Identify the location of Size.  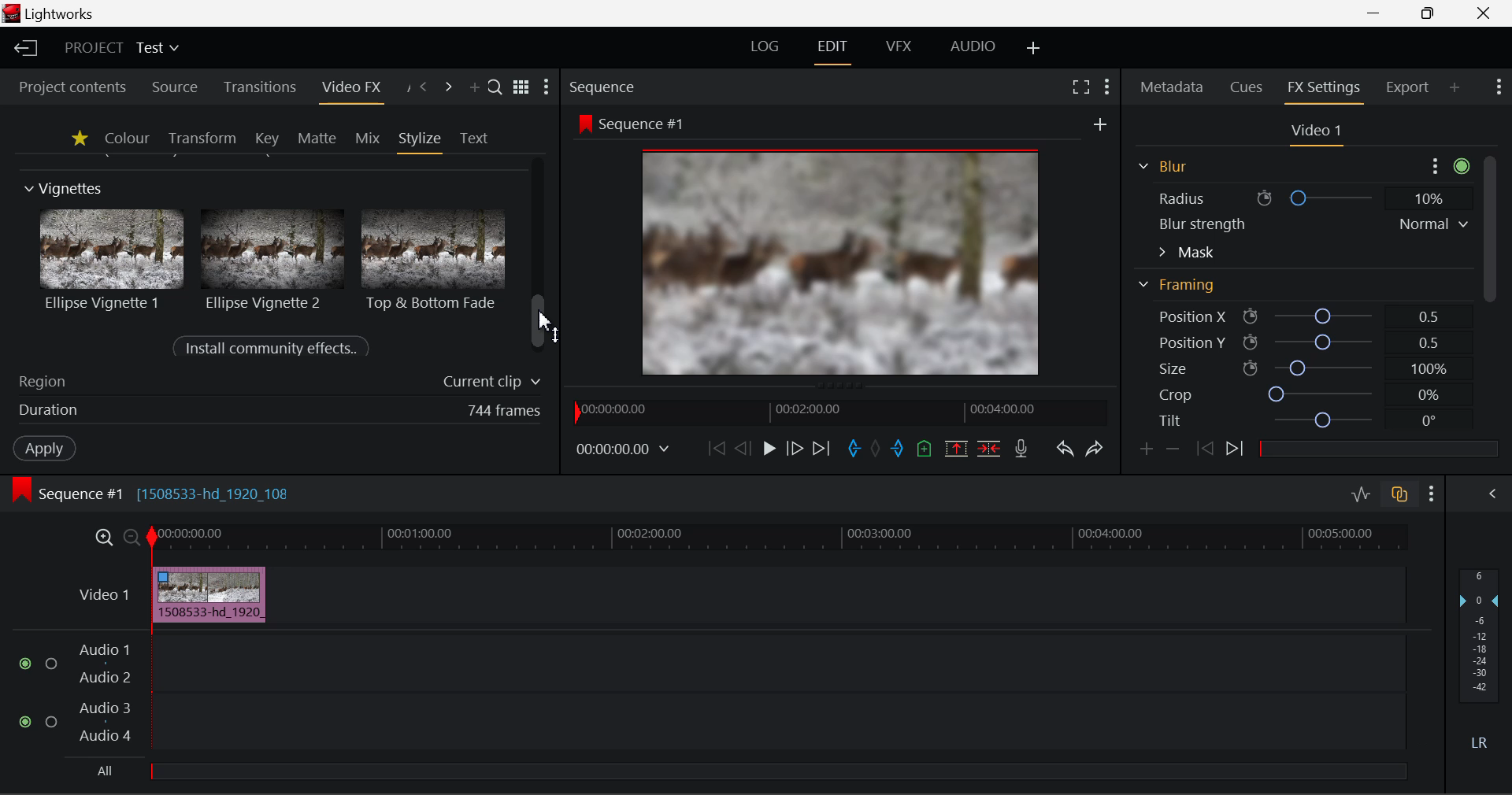
(1299, 368).